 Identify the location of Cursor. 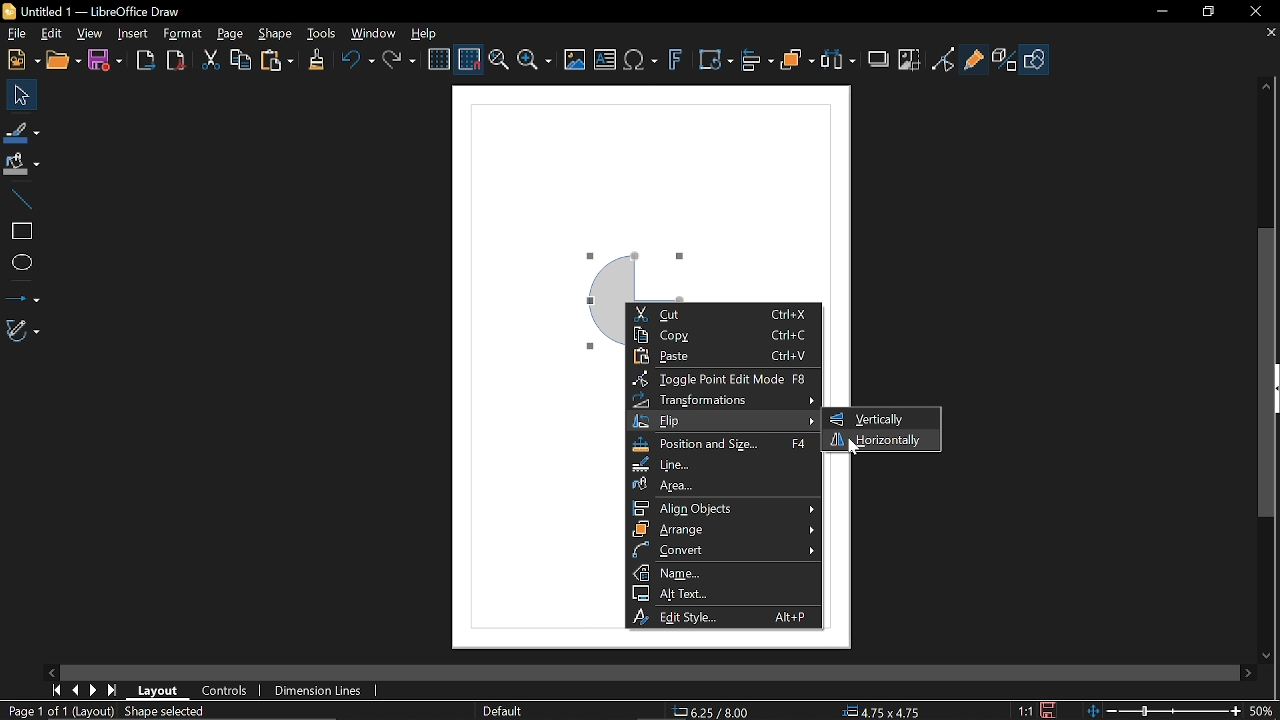
(850, 450).